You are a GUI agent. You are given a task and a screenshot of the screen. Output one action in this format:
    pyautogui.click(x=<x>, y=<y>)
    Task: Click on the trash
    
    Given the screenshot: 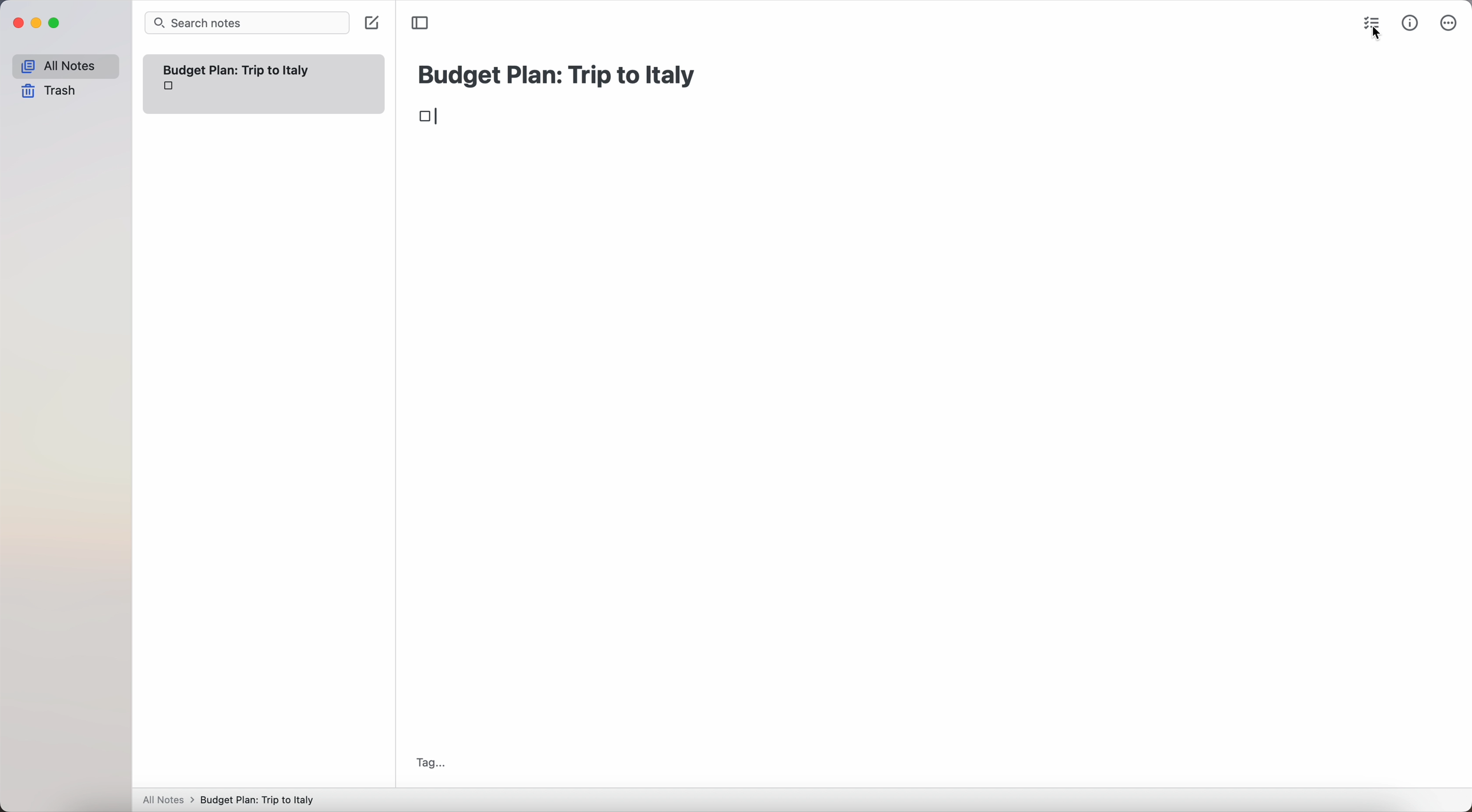 What is the action you would take?
    pyautogui.click(x=49, y=91)
    